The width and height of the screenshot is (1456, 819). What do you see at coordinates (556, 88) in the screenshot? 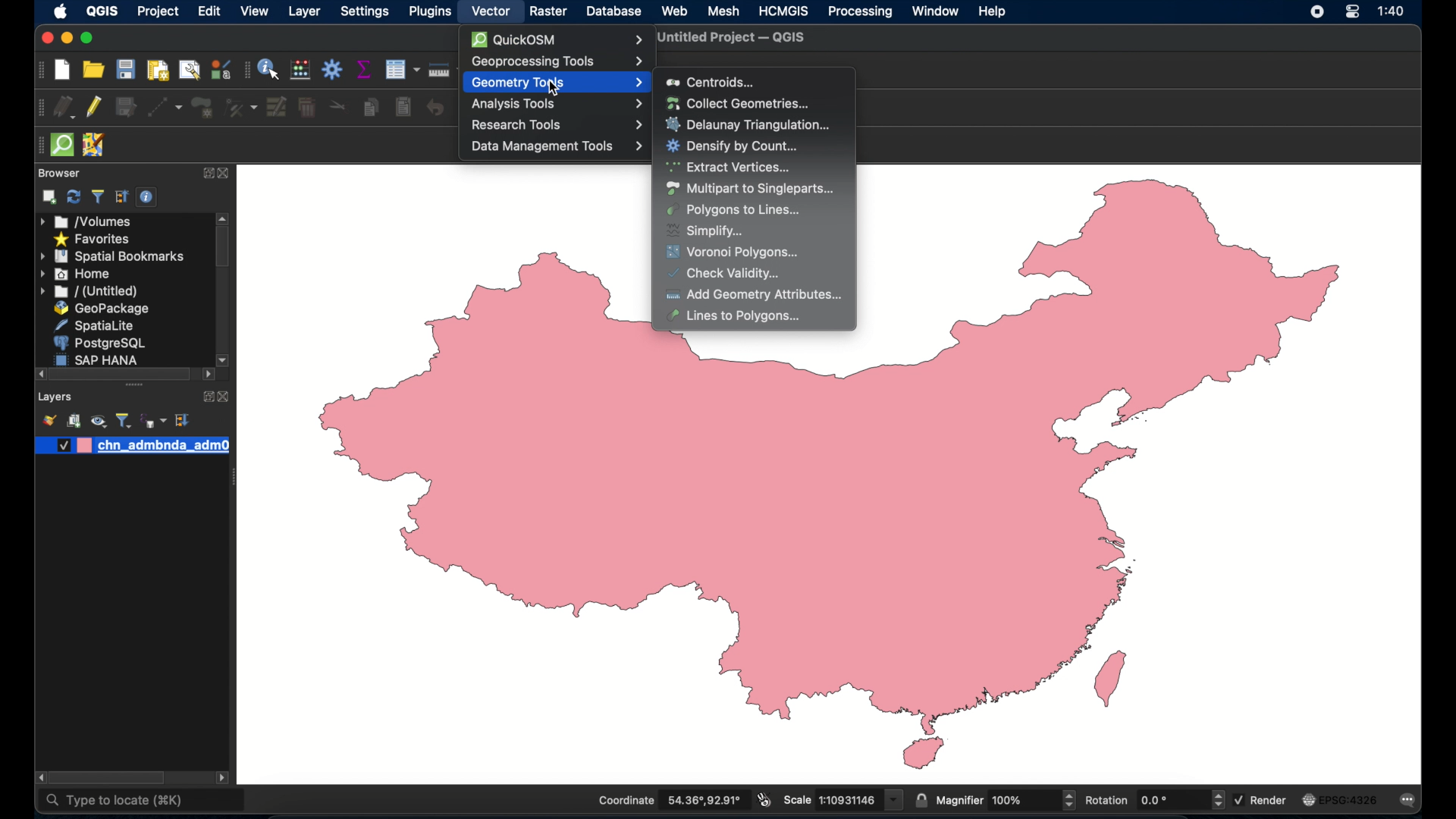
I see `cursor` at bounding box center [556, 88].